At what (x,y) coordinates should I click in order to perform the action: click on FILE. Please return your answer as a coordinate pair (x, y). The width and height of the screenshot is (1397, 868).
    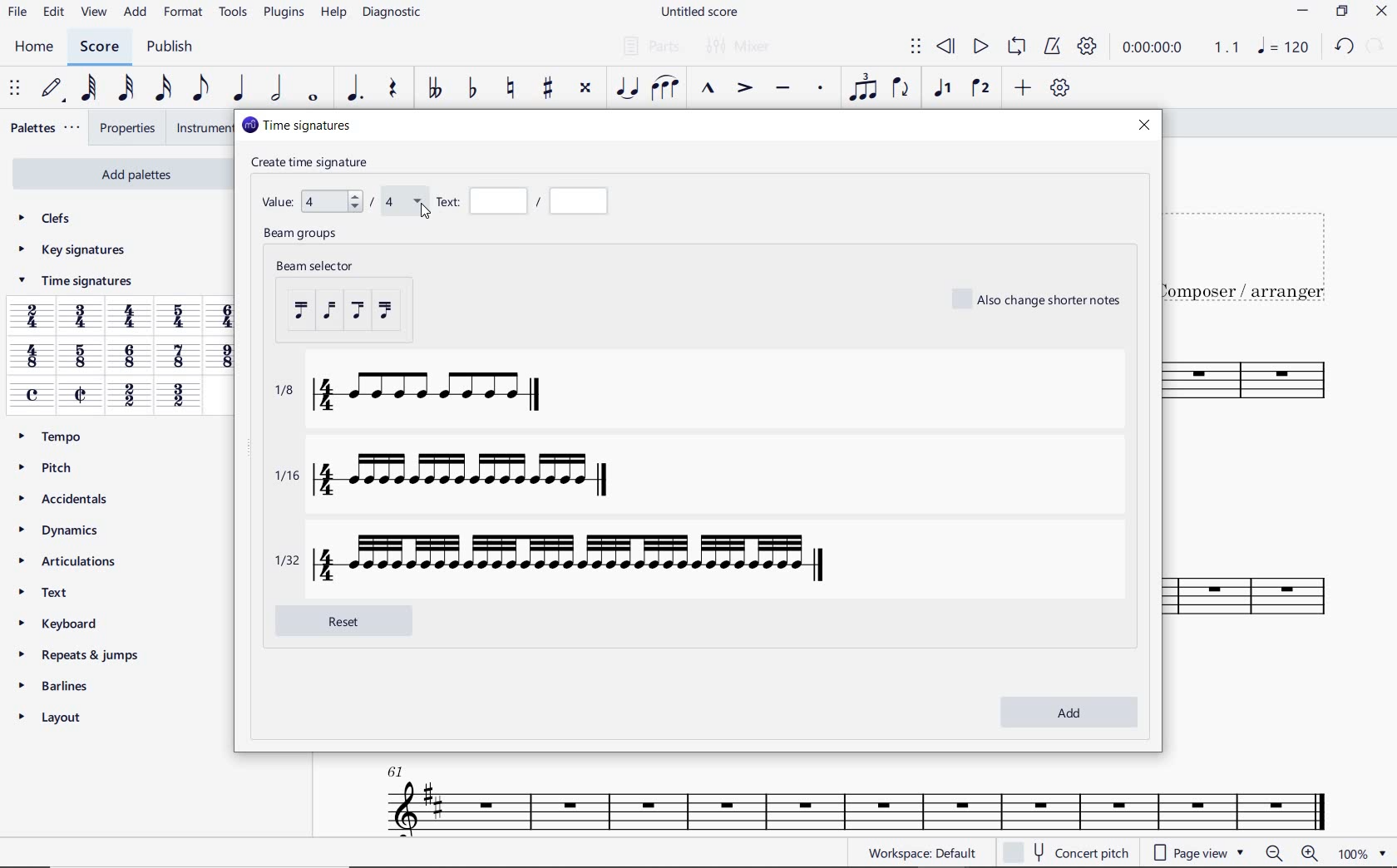
    Looking at the image, I should click on (17, 13).